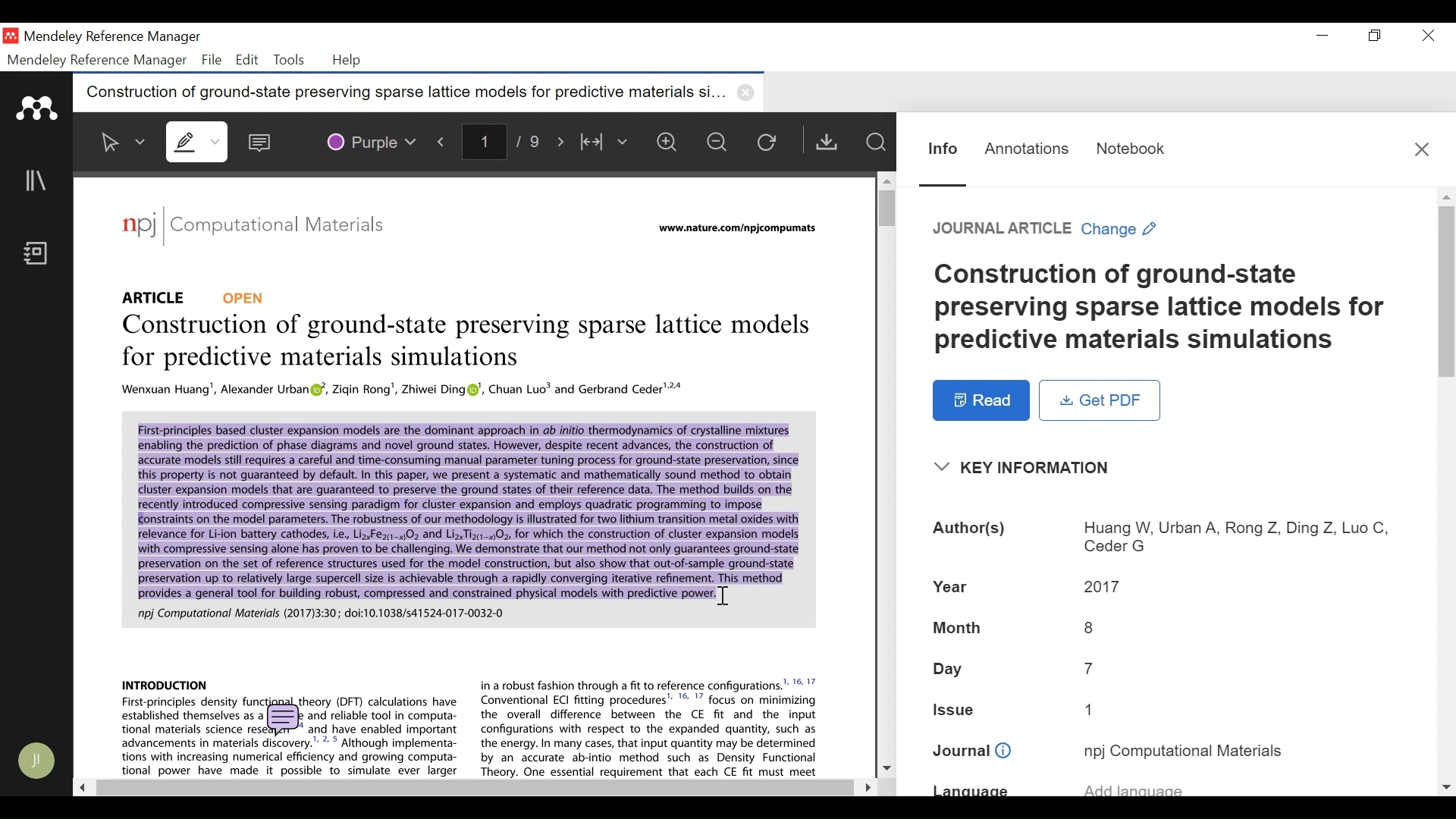  Describe the element at coordinates (12, 36) in the screenshot. I see `Mendeley Desktop Icon` at that location.